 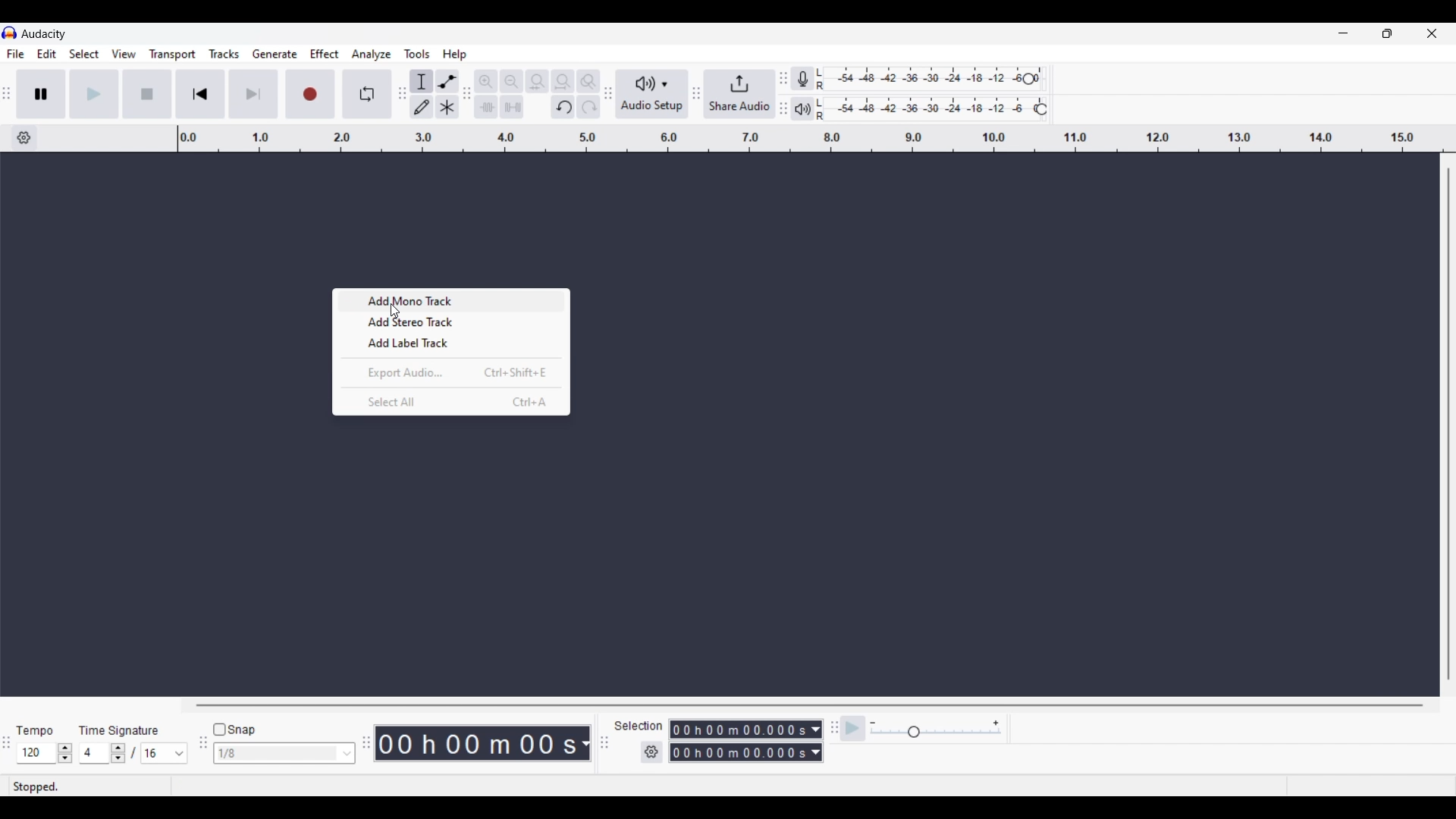 I want to click on Playback meter, so click(x=811, y=108).